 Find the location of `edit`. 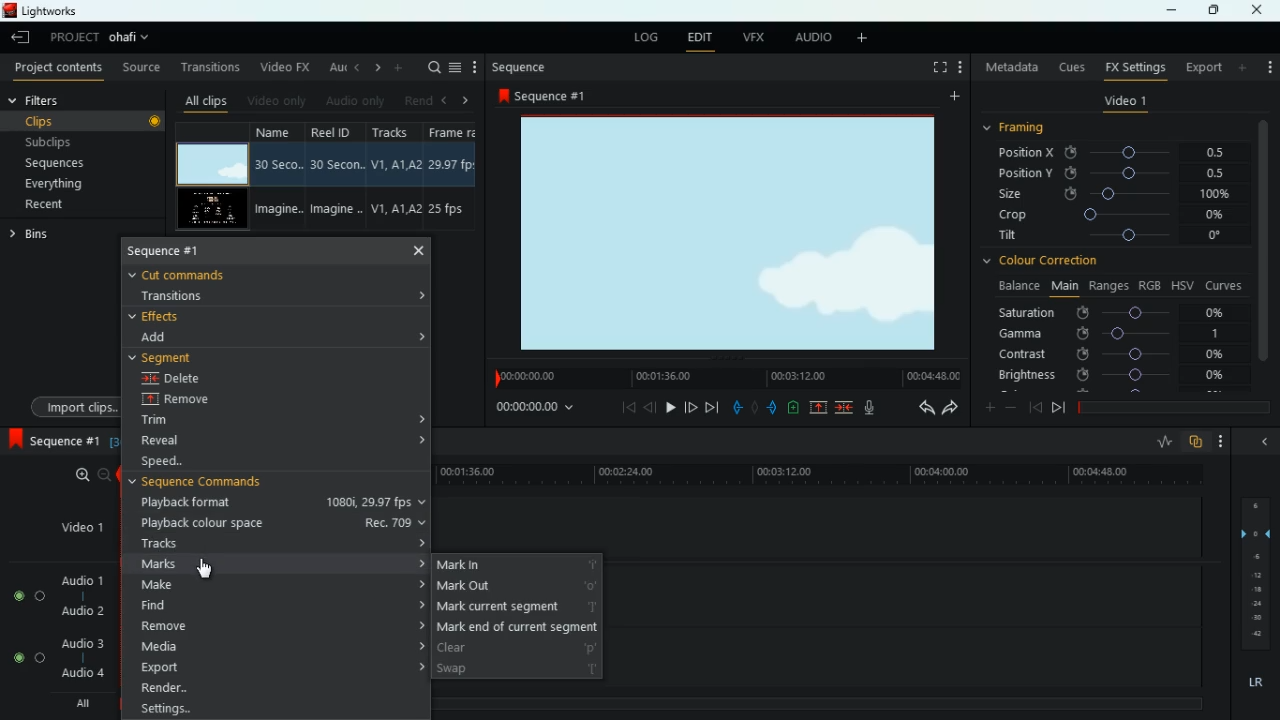

edit is located at coordinates (700, 39).